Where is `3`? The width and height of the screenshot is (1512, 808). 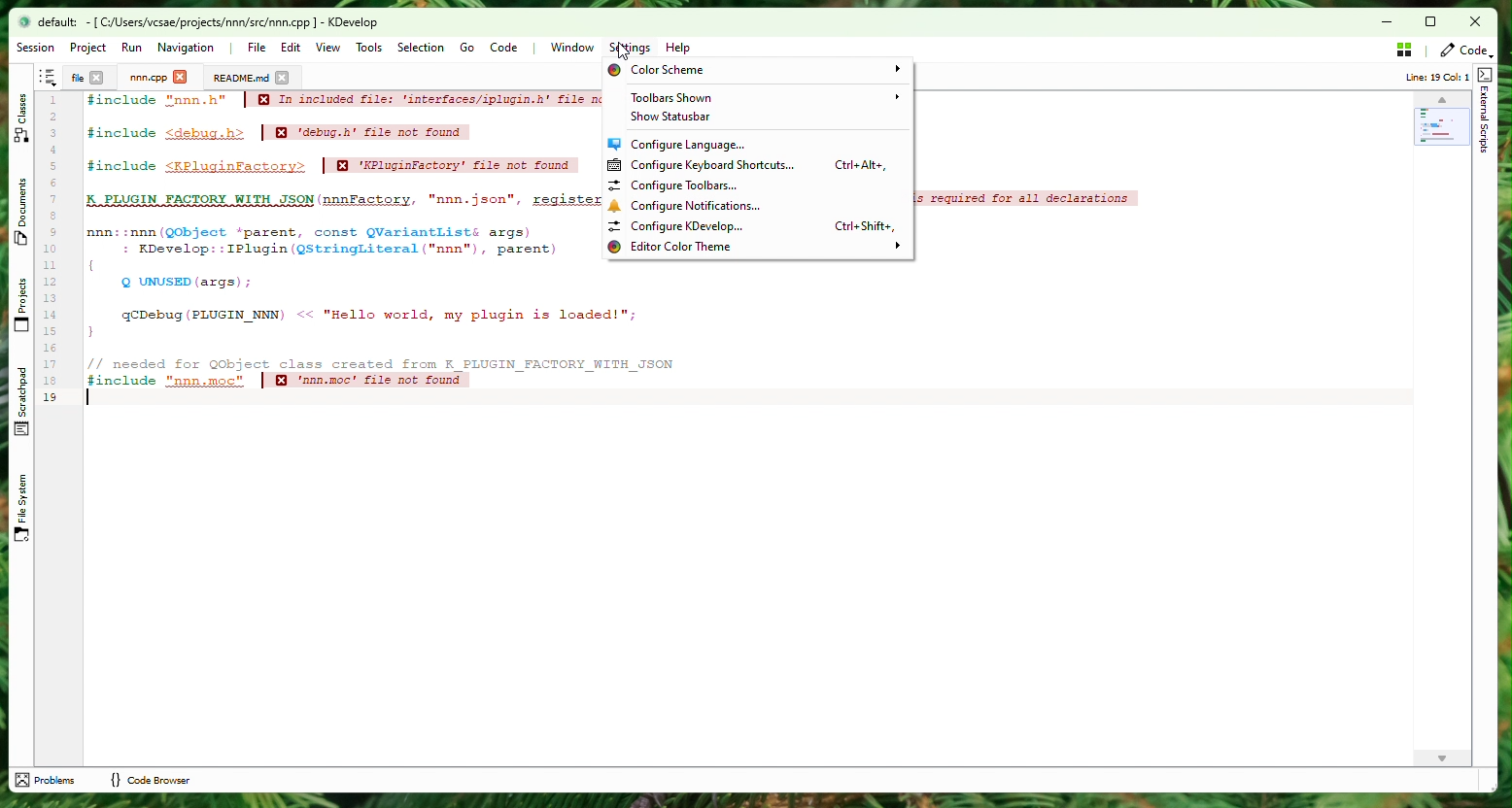 3 is located at coordinates (52, 133).